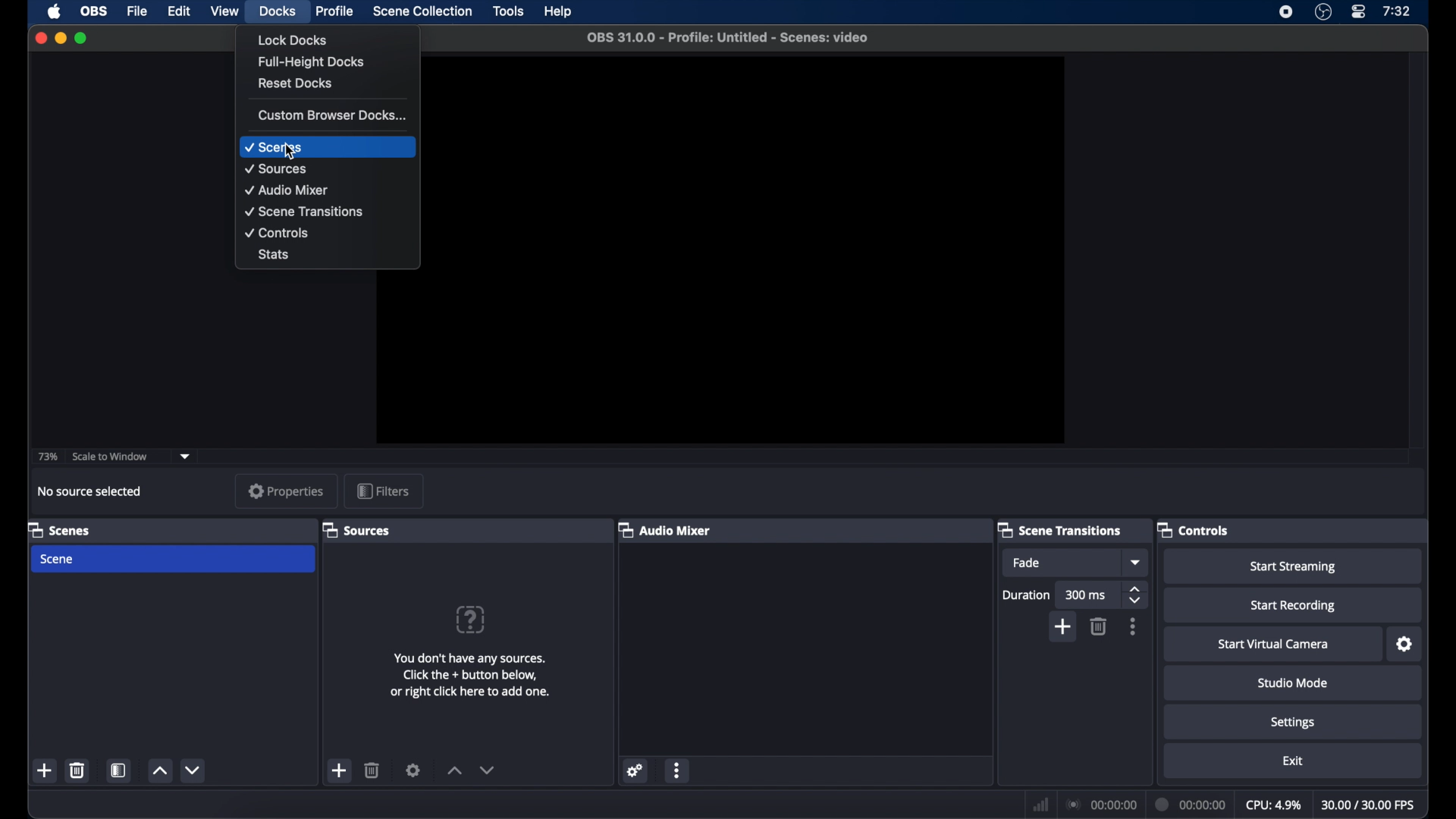 Image resolution: width=1456 pixels, height=819 pixels. I want to click on help, so click(559, 12).